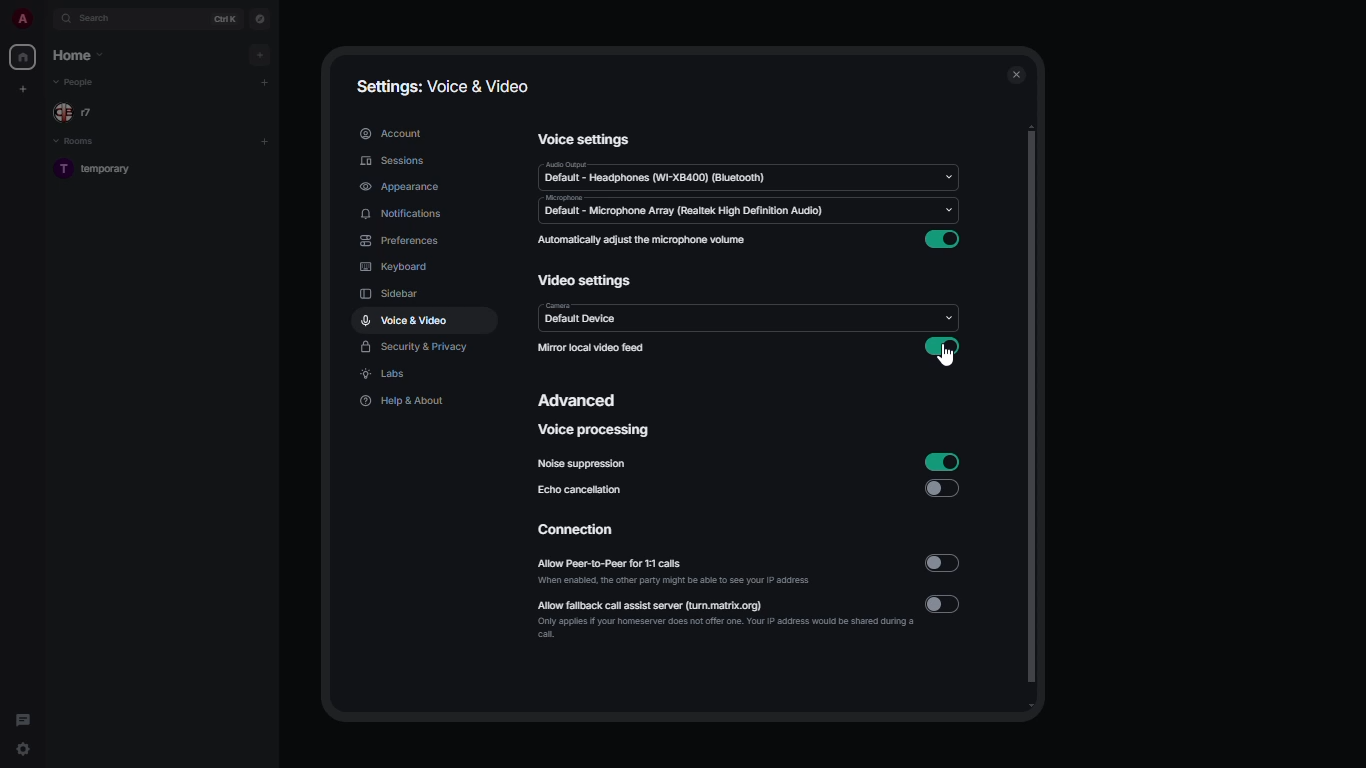 The height and width of the screenshot is (768, 1366). What do you see at coordinates (400, 213) in the screenshot?
I see `notifications` at bounding box center [400, 213].